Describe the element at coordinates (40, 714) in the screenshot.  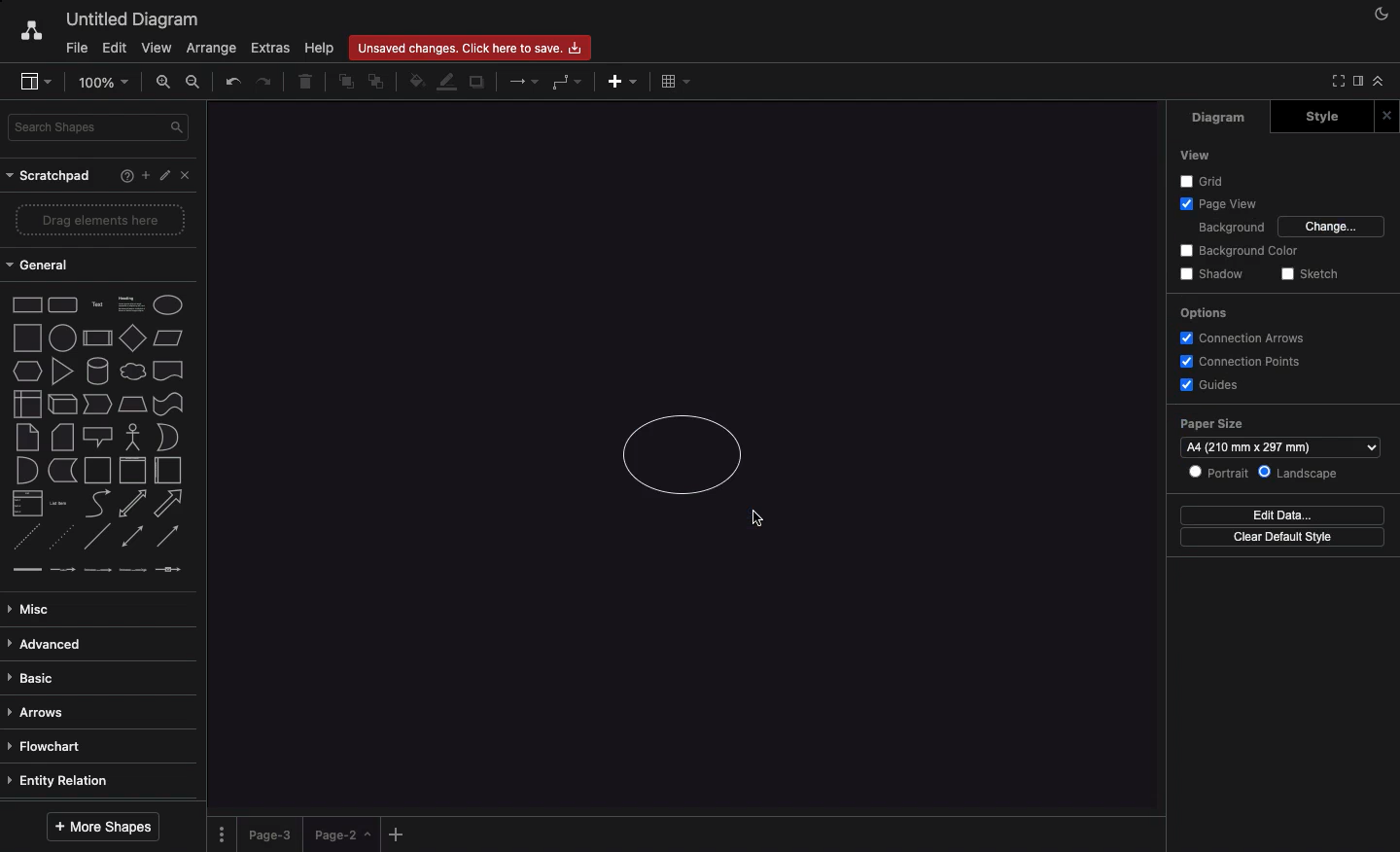
I see `Arrows` at that location.